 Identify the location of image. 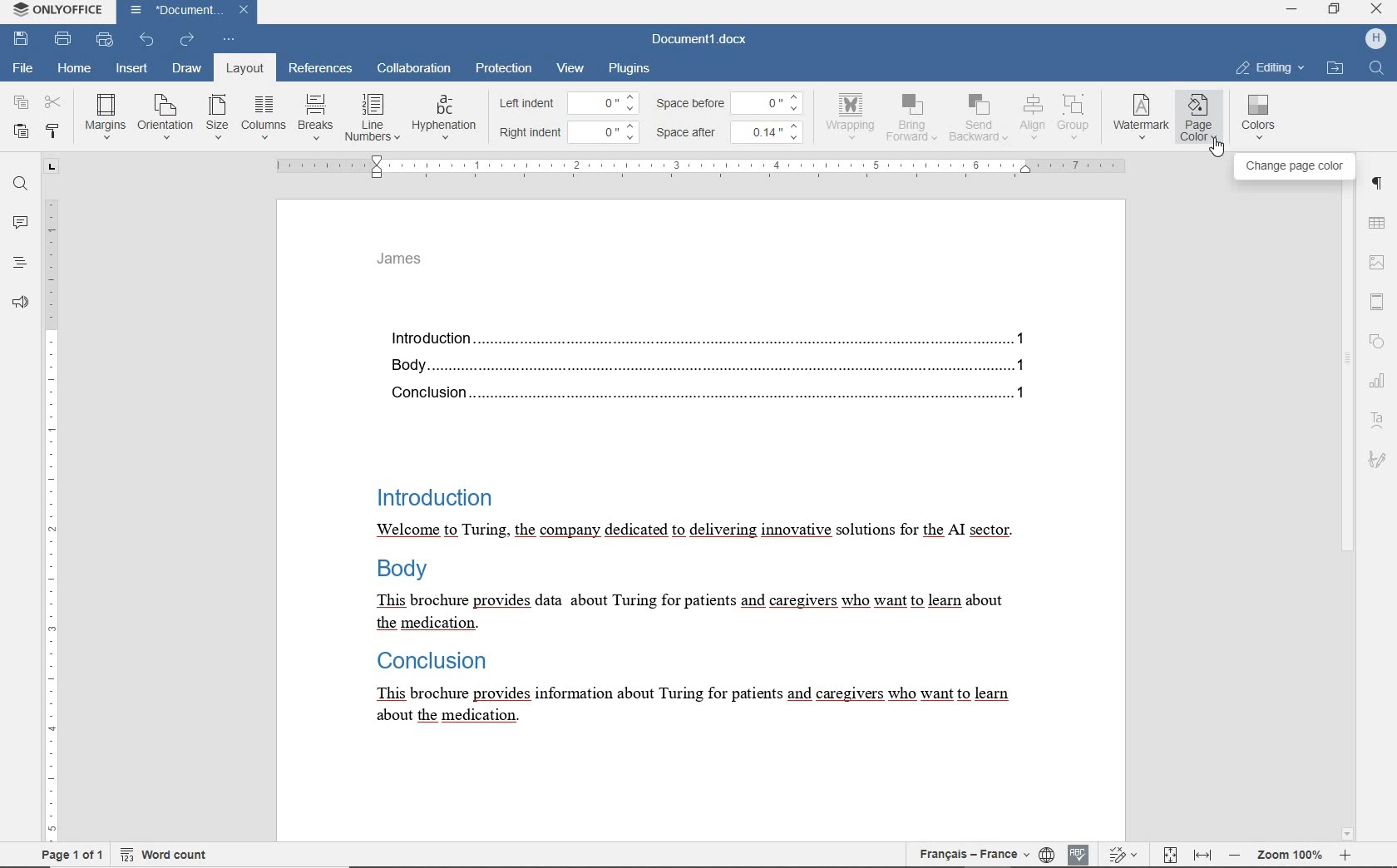
(1379, 264).